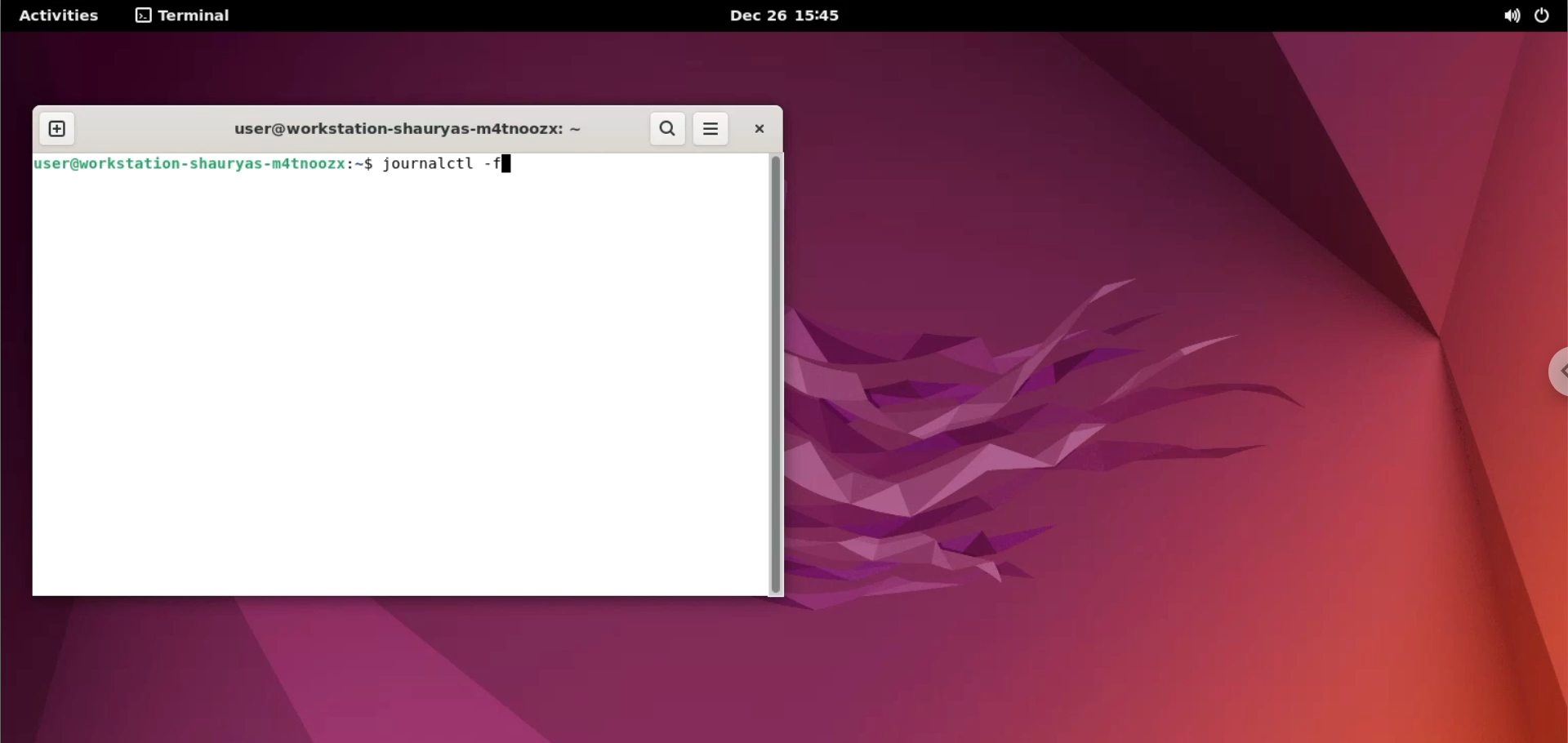  Describe the element at coordinates (62, 16) in the screenshot. I see `Activities` at that location.